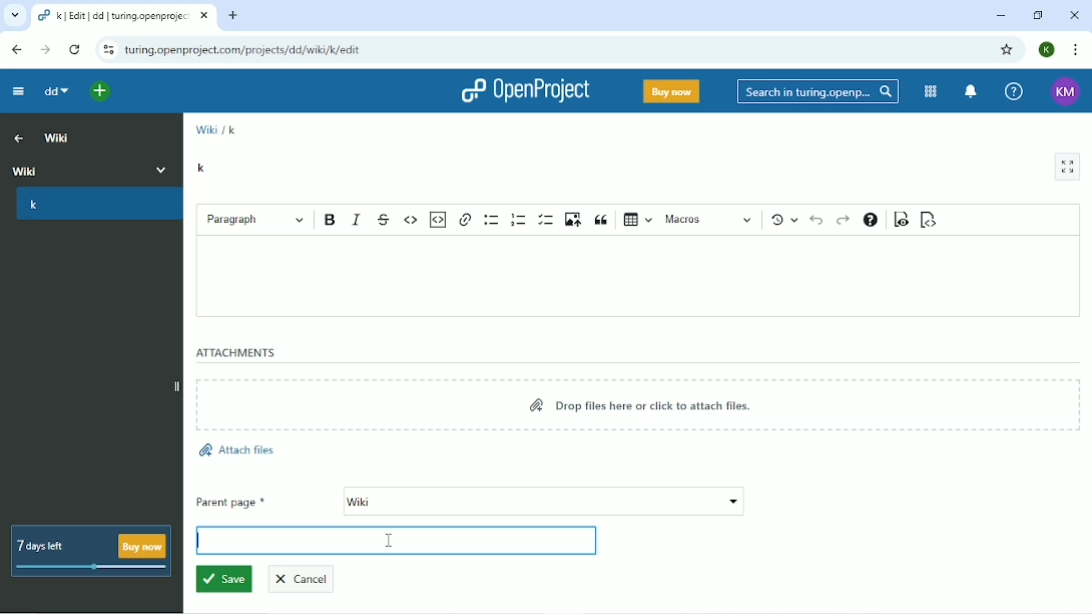 The height and width of the screenshot is (614, 1092). I want to click on Paragraph, so click(256, 218).